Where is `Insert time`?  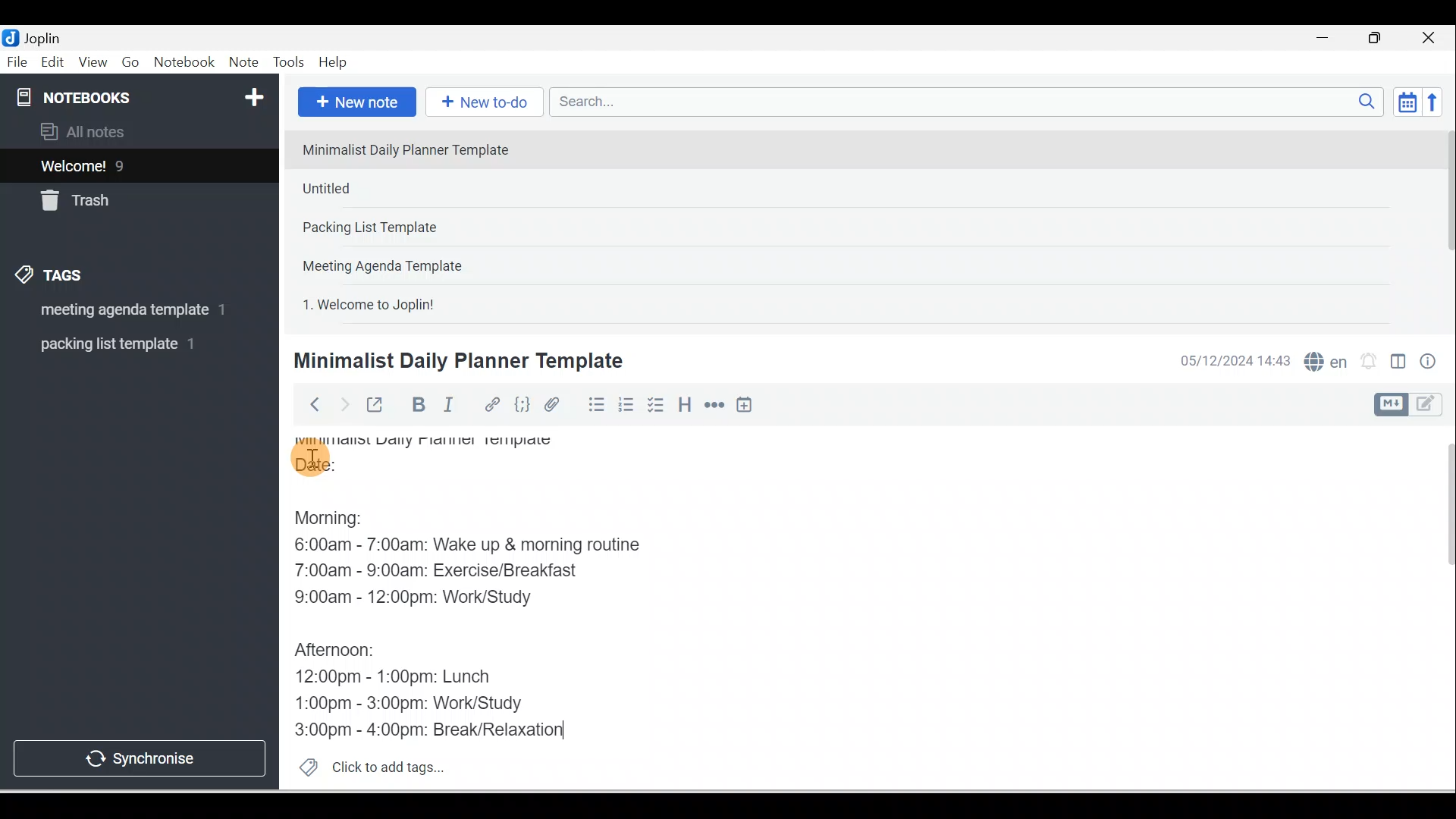 Insert time is located at coordinates (744, 406).